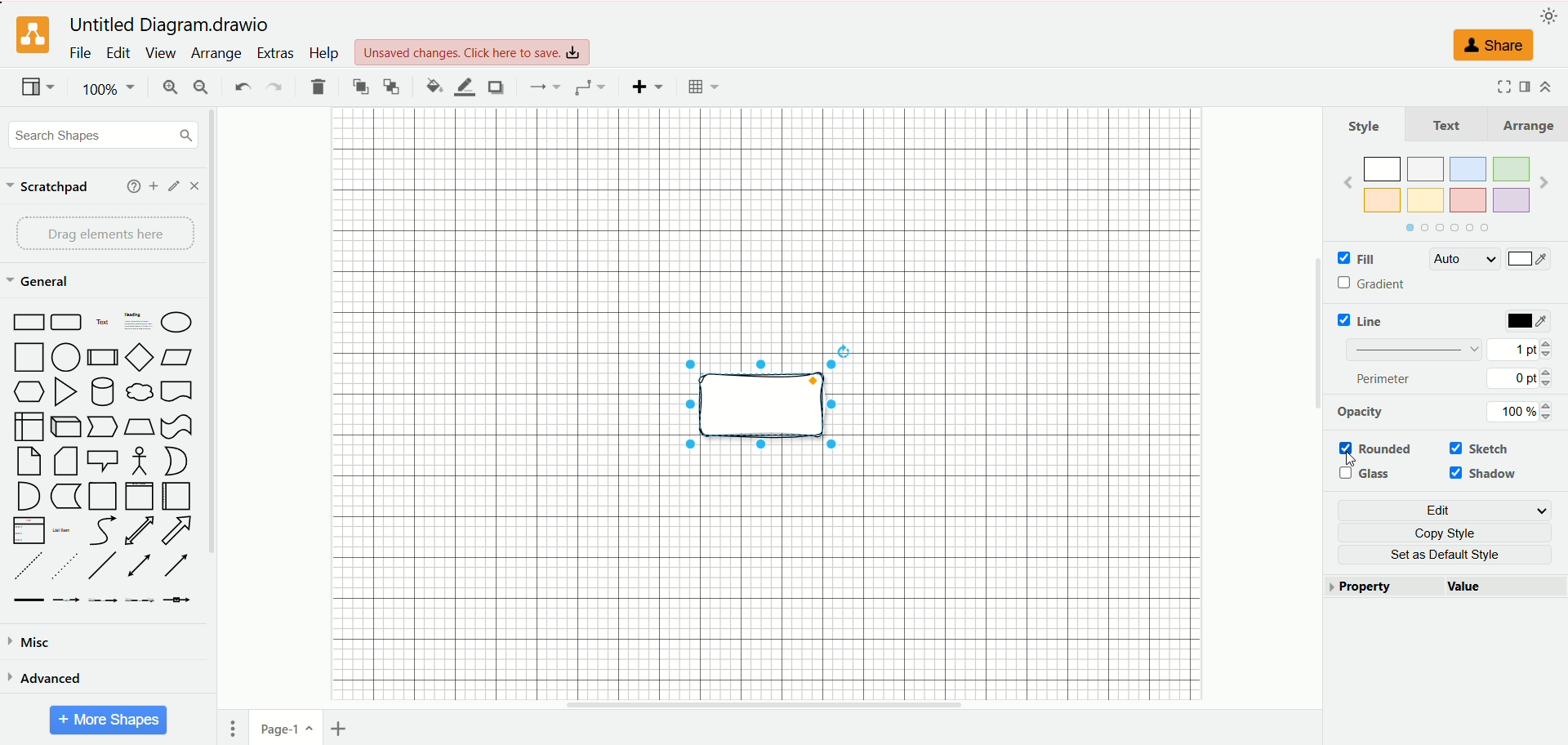 This screenshot has width=1568, height=745. What do you see at coordinates (104, 136) in the screenshot?
I see `search` at bounding box center [104, 136].